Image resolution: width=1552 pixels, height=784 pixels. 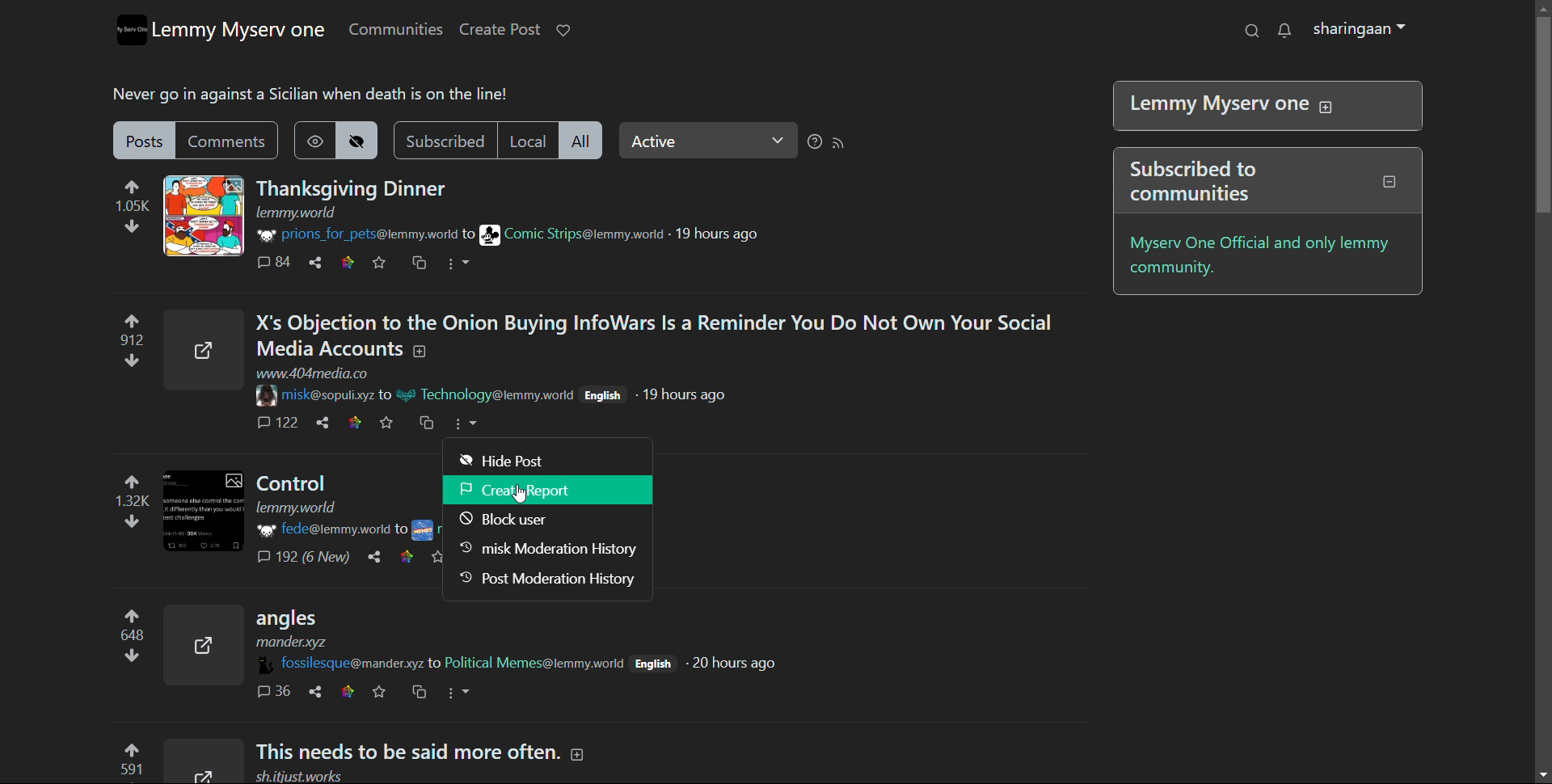 I want to click on all, so click(x=584, y=141).